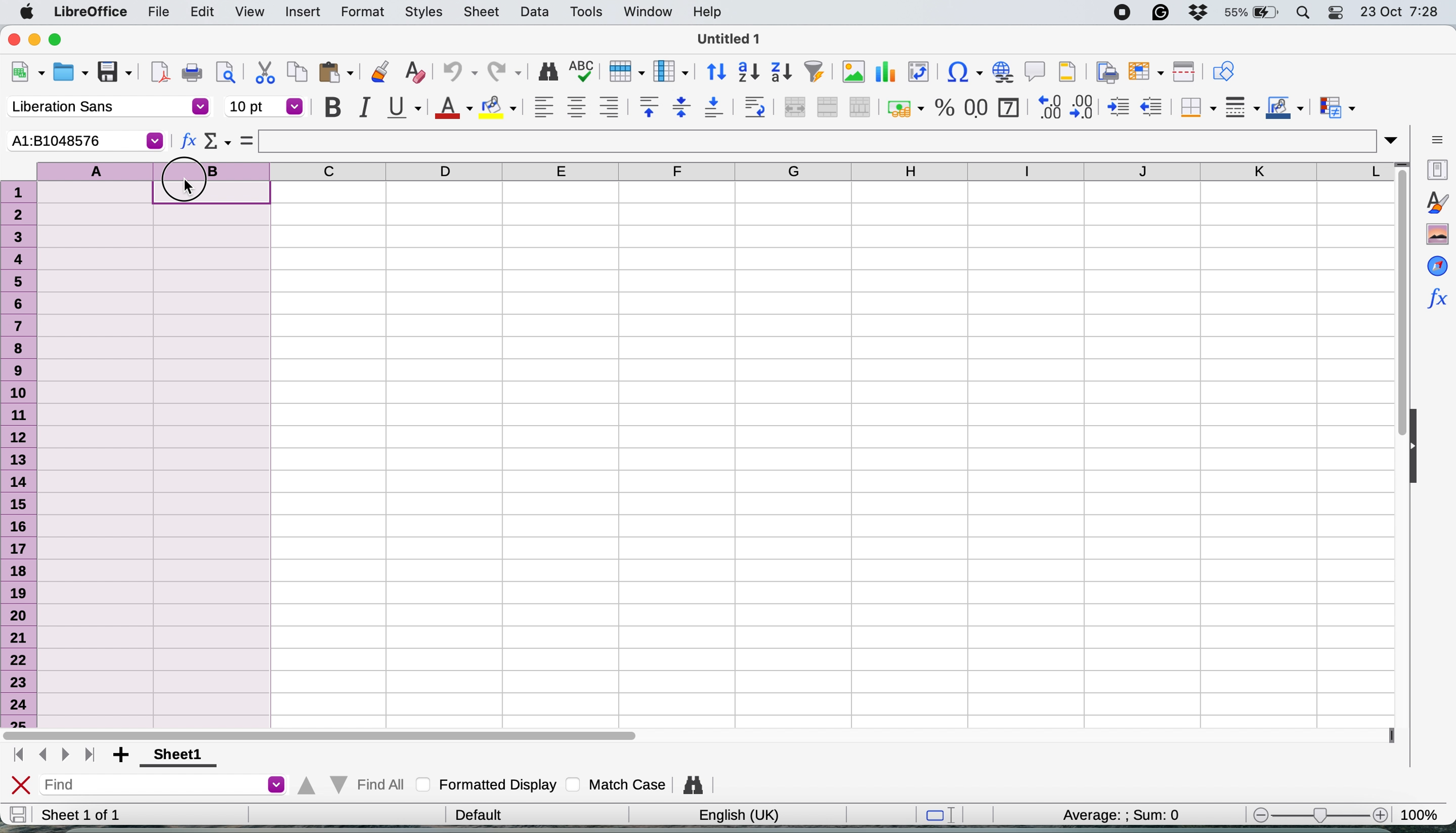  What do you see at coordinates (904, 106) in the screenshot?
I see `format as currency` at bounding box center [904, 106].